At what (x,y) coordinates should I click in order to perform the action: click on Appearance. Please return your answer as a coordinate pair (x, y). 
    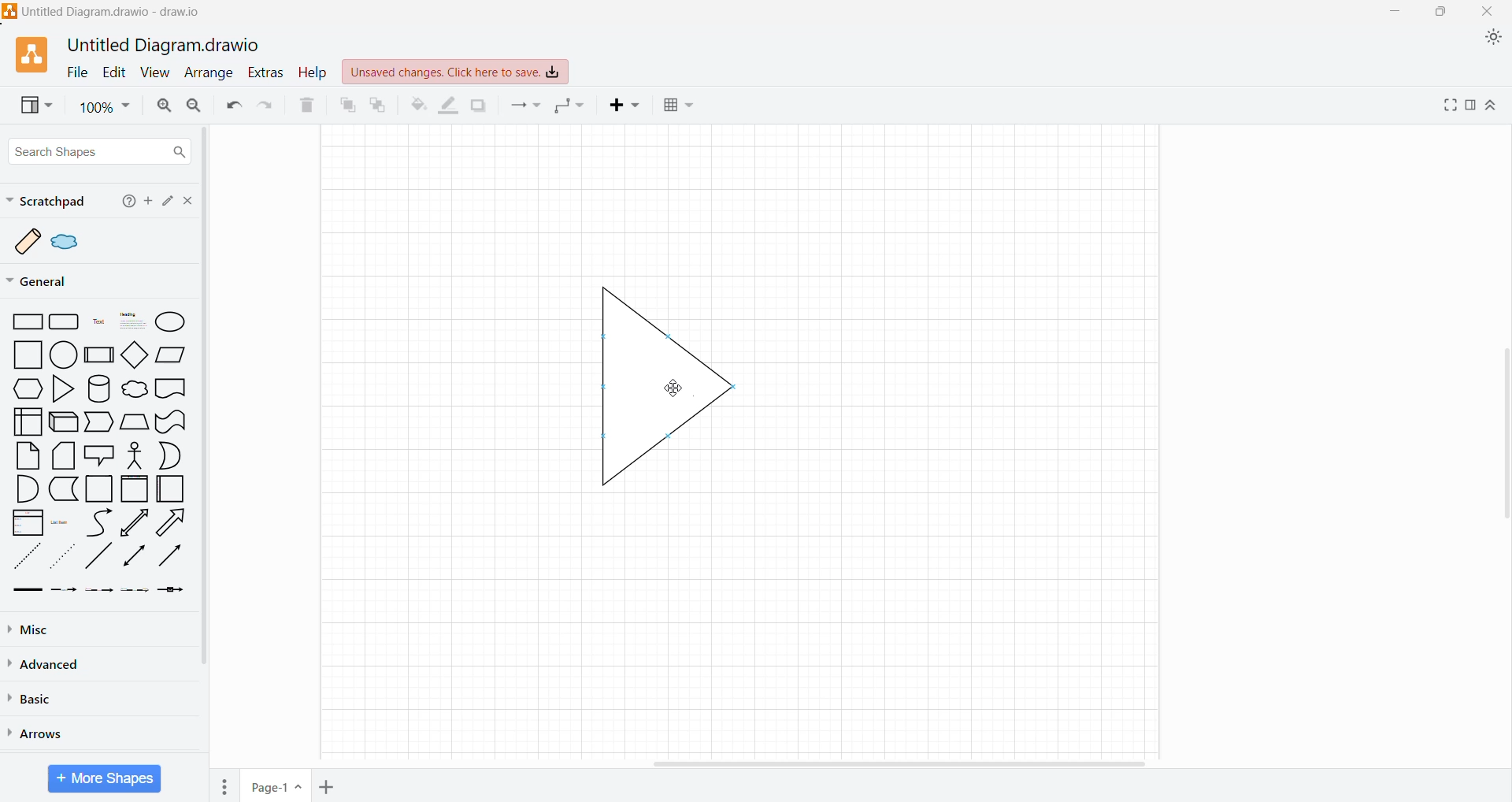
    Looking at the image, I should click on (1491, 39).